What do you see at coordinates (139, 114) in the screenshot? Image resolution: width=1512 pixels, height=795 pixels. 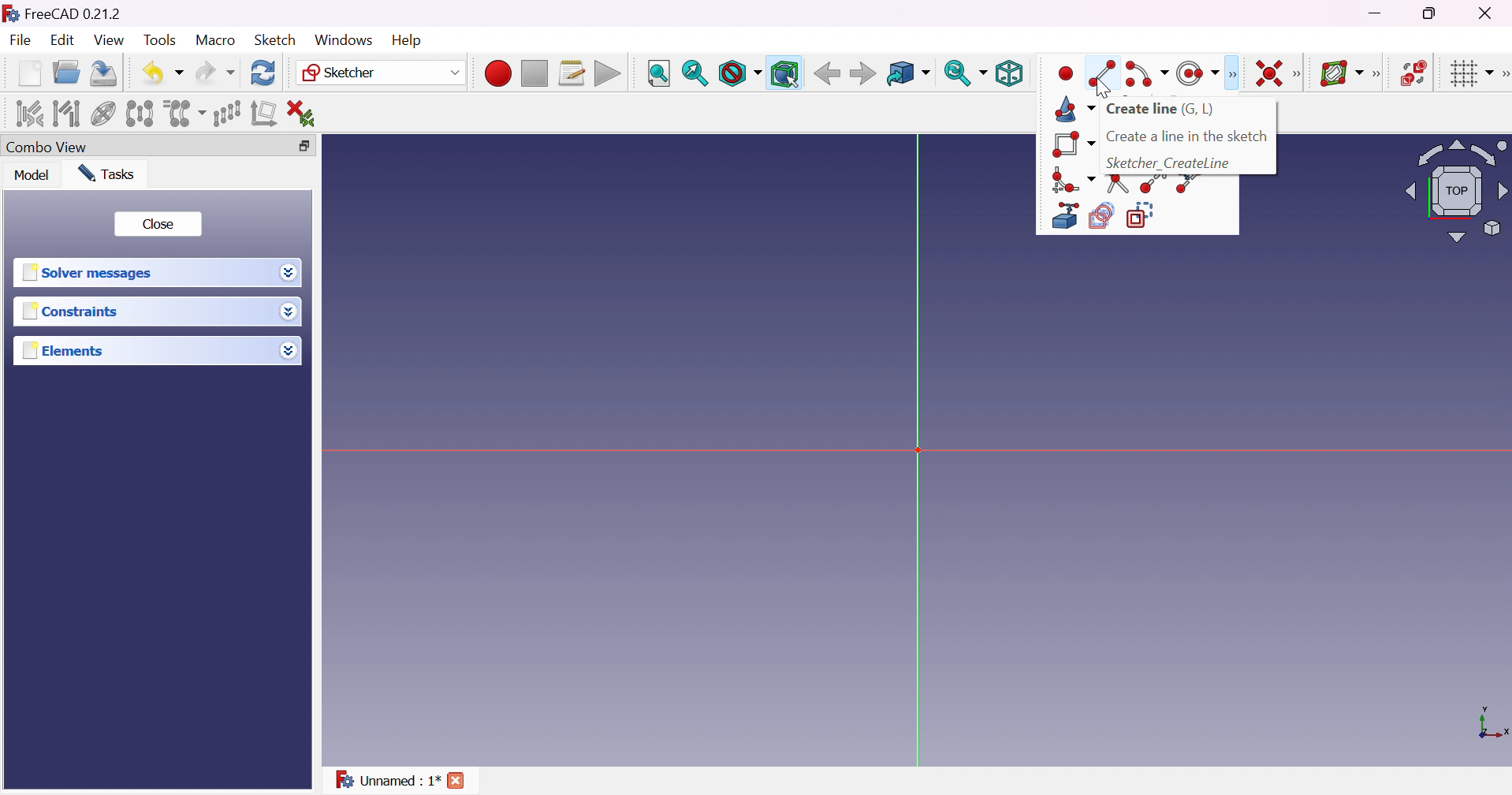 I see `Symmetry` at bounding box center [139, 114].